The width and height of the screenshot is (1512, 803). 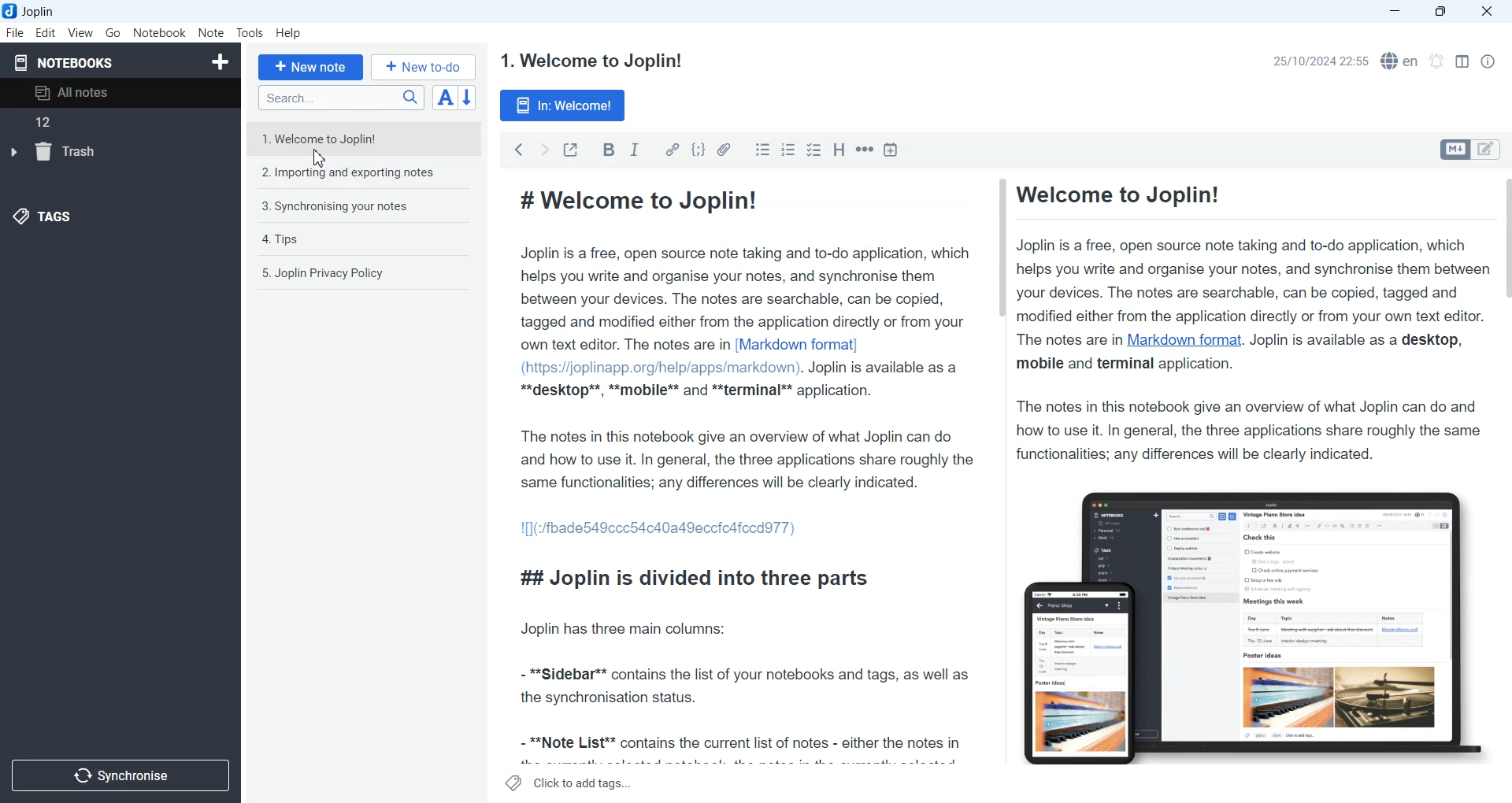 What do you see at coordinates (332, 138) in the screenshot?
I see `1. Welcome to Joplin!` at bounding box center [332, 138].